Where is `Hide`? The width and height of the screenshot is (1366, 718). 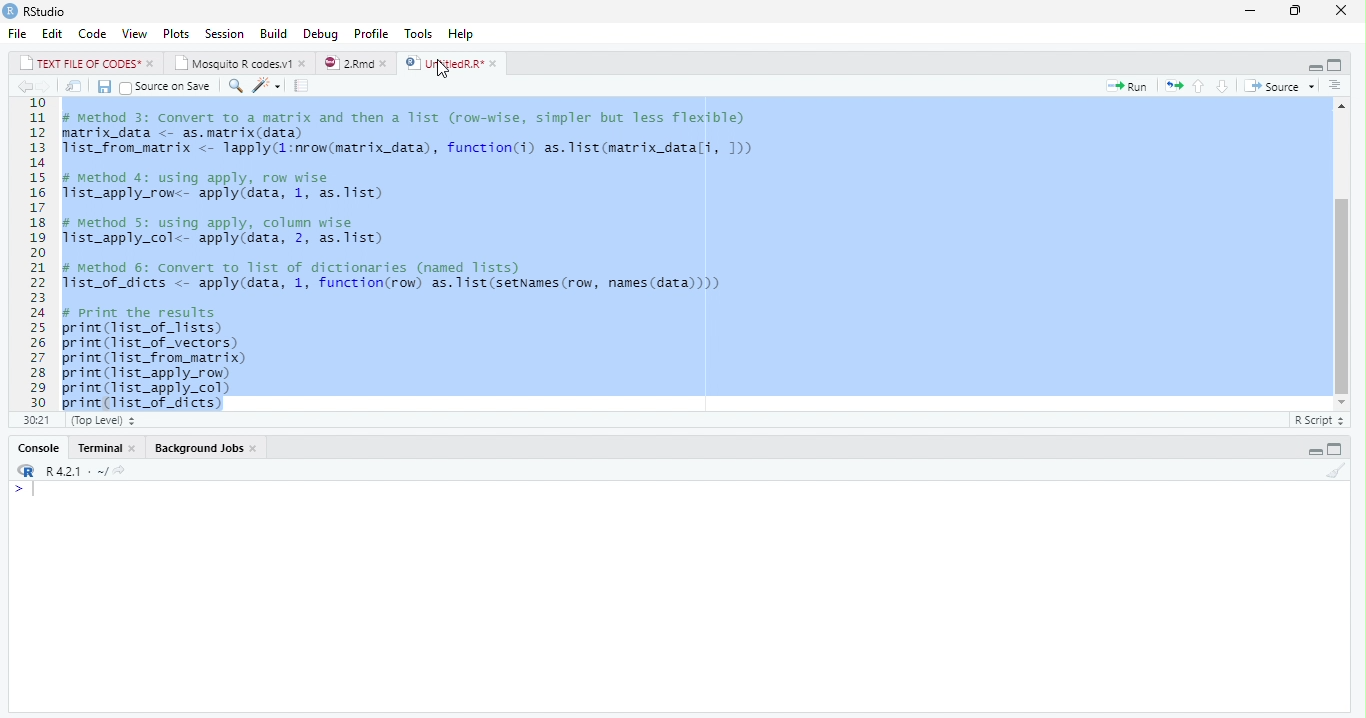 Hide is located at coordinates (1313, 449).